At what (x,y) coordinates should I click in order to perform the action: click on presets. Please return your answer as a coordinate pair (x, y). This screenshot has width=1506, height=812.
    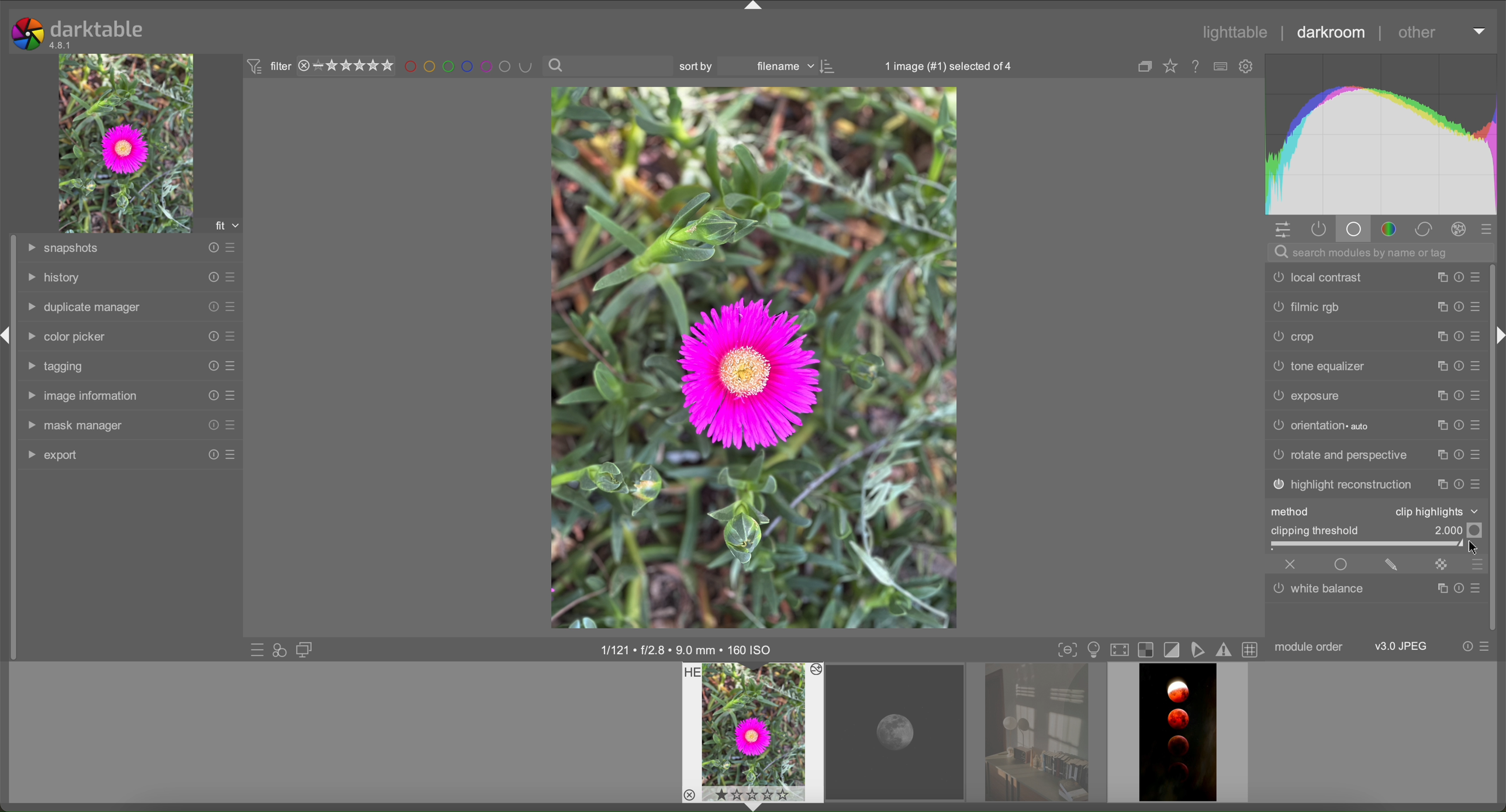
    Looking at the image, I should click on (1477, 278).